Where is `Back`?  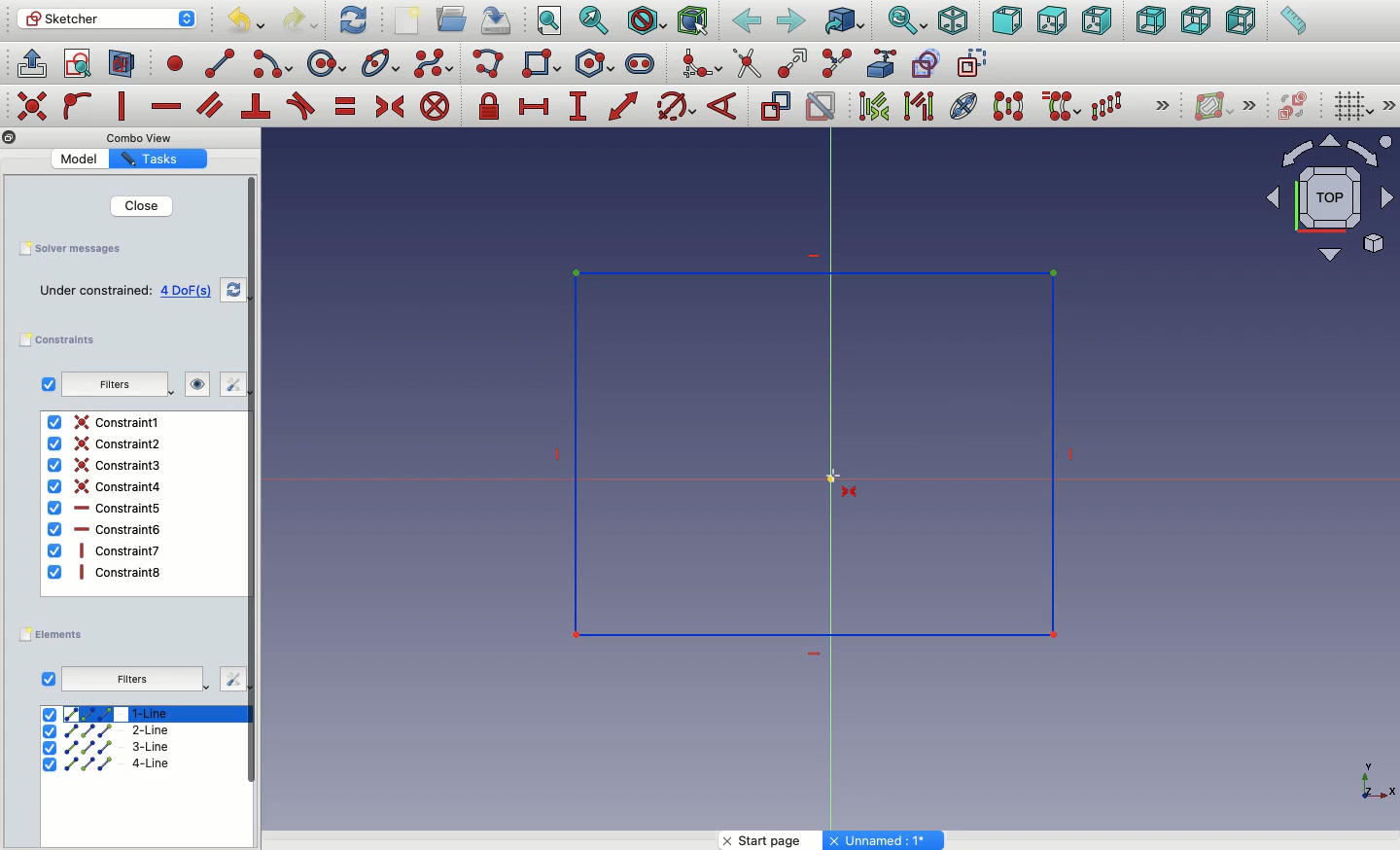
Back is located at coordinates (748, 21).